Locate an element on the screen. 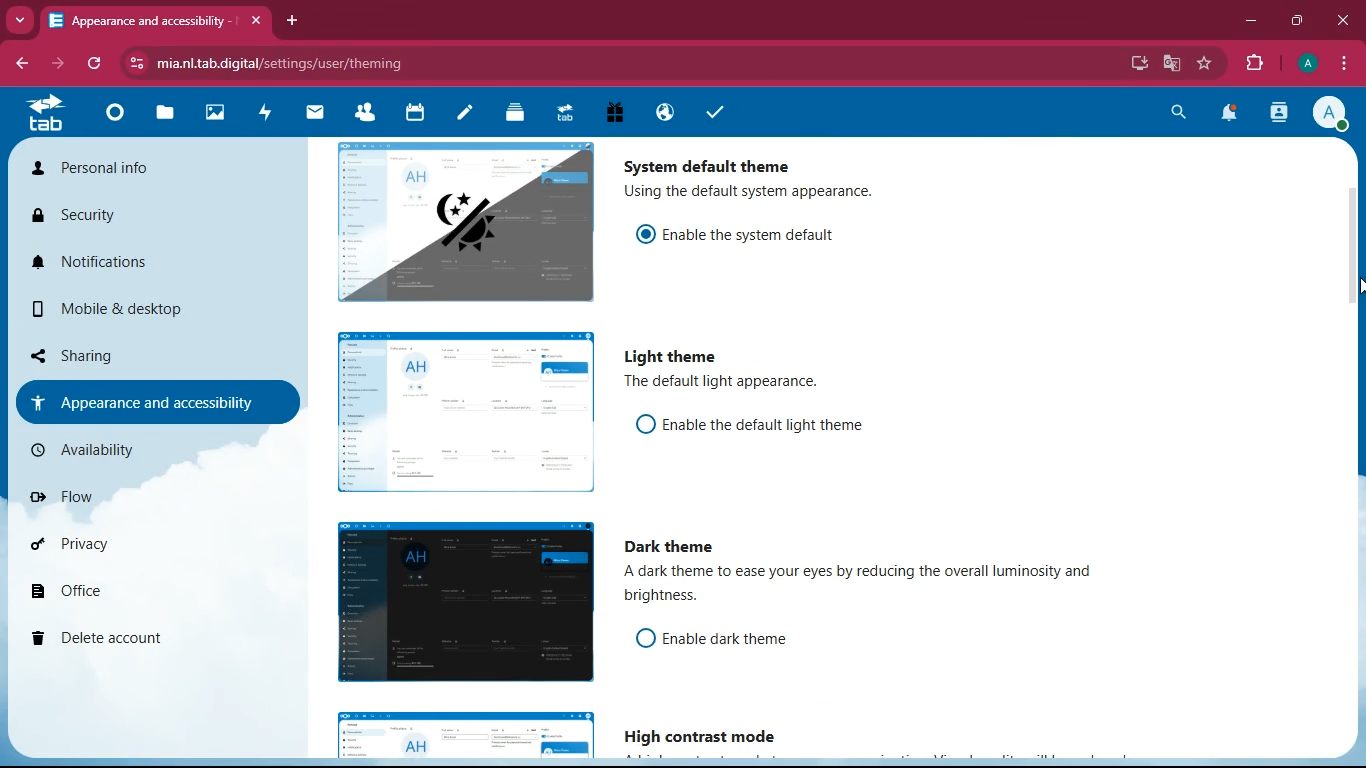  activity is located at coordinates (1278, 114).